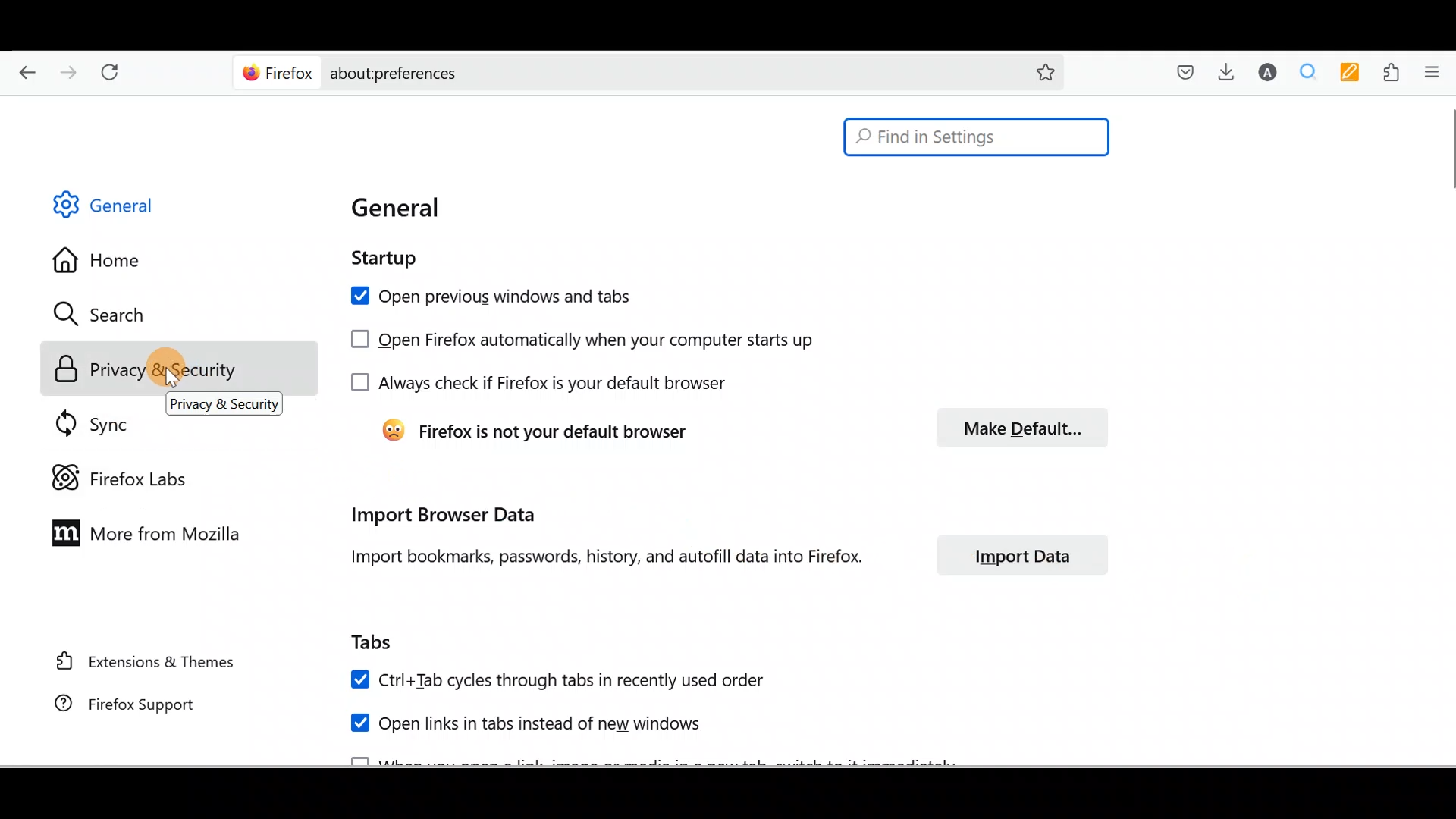 This screenshot has height=819, width=1456. What do you see at coordinates (1436, 73) in the screenshot?
I see `Open application menu` at bounding box center [1436, 73].